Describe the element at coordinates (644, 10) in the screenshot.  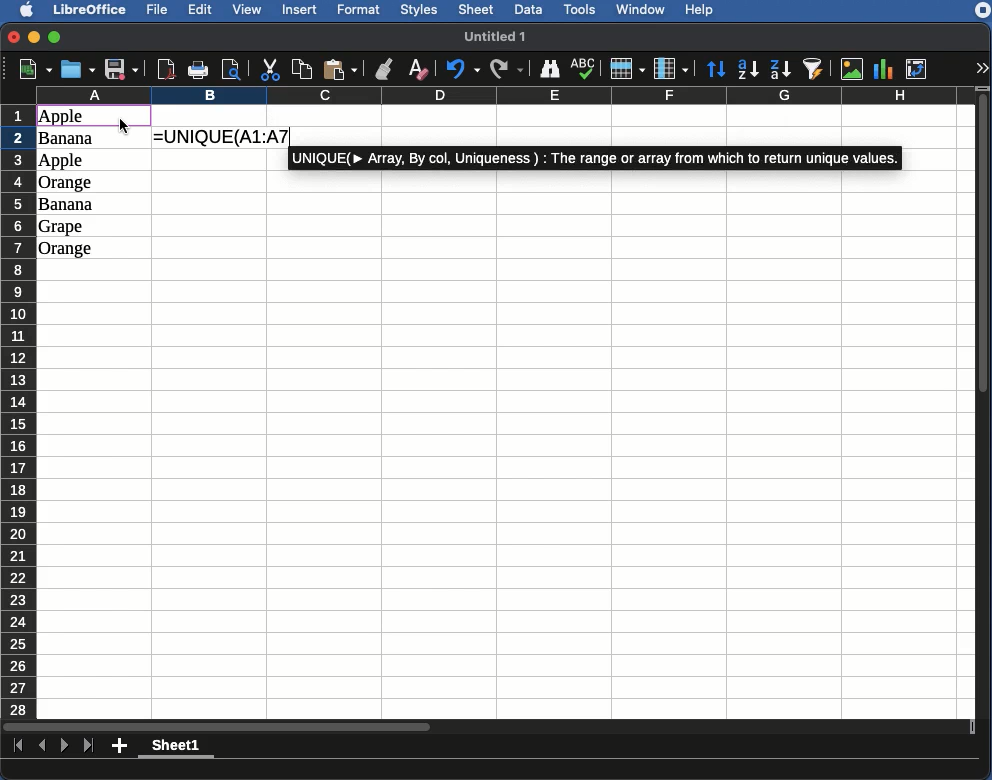
I see `Window` at that location.